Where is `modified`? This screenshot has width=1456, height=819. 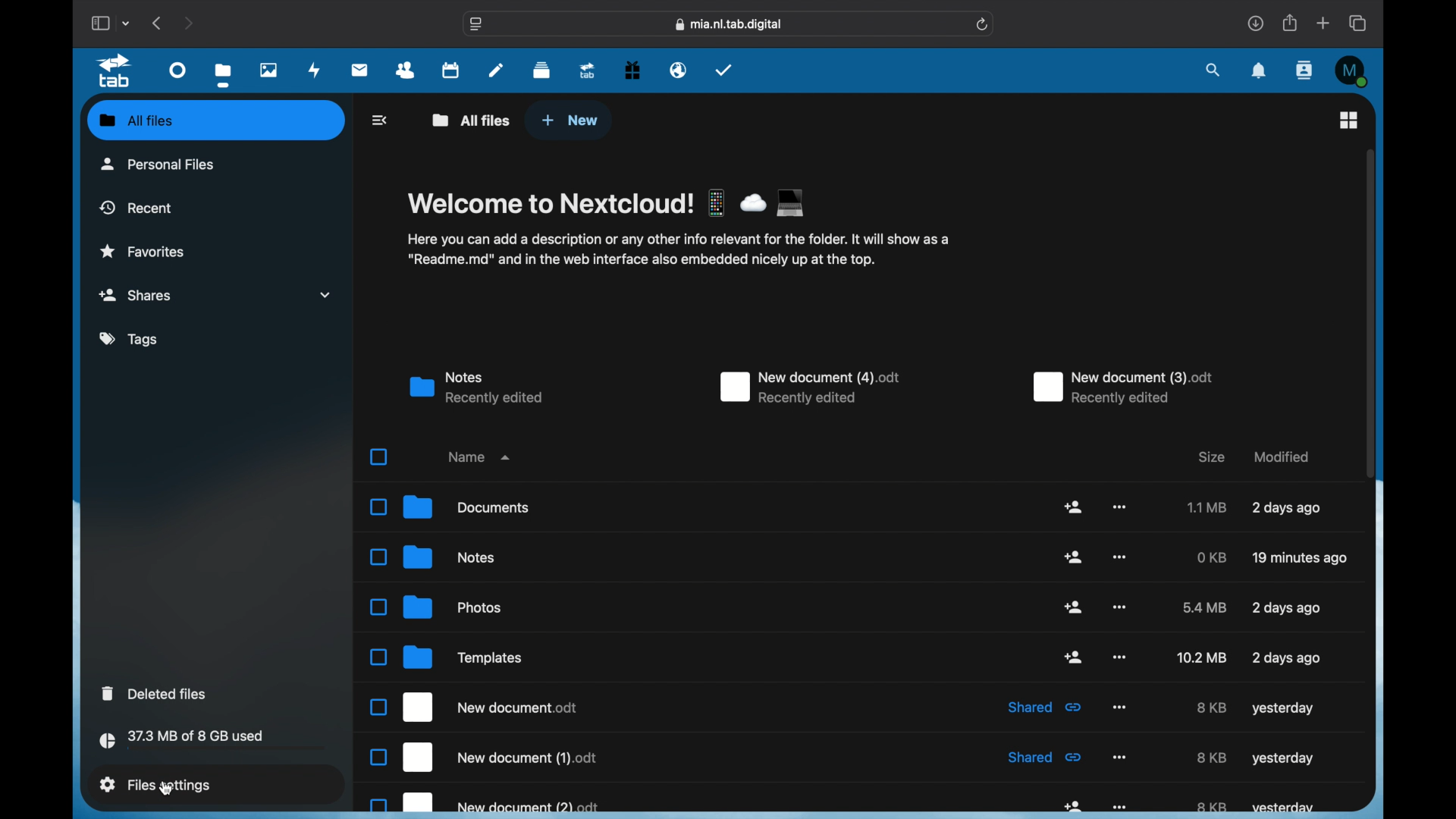 modified is located at coordinates (1287, 507).